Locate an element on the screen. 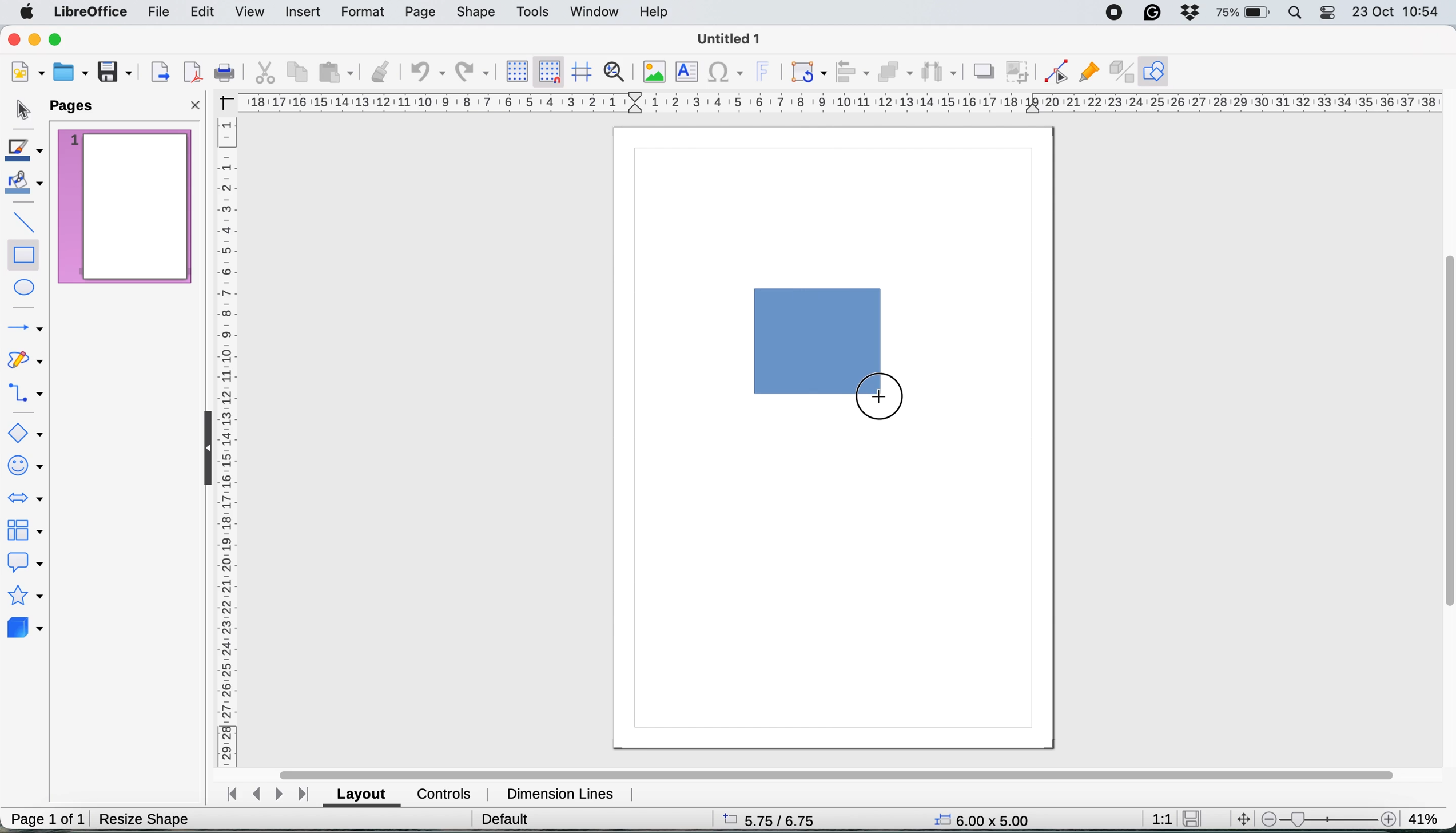  paste is located at coordinates (338, 73).